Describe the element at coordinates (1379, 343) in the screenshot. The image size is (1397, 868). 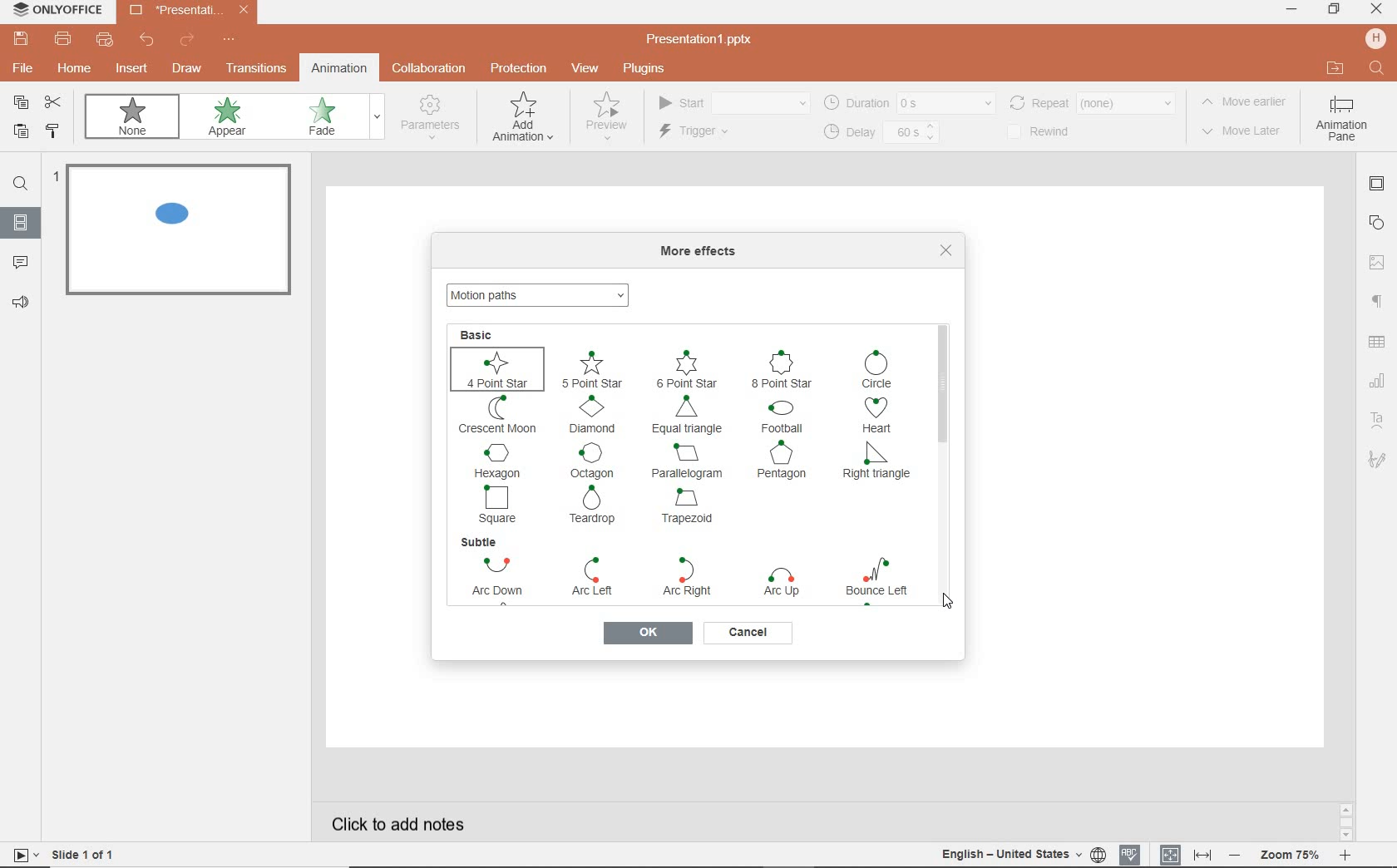
I see `table settings` at that location.